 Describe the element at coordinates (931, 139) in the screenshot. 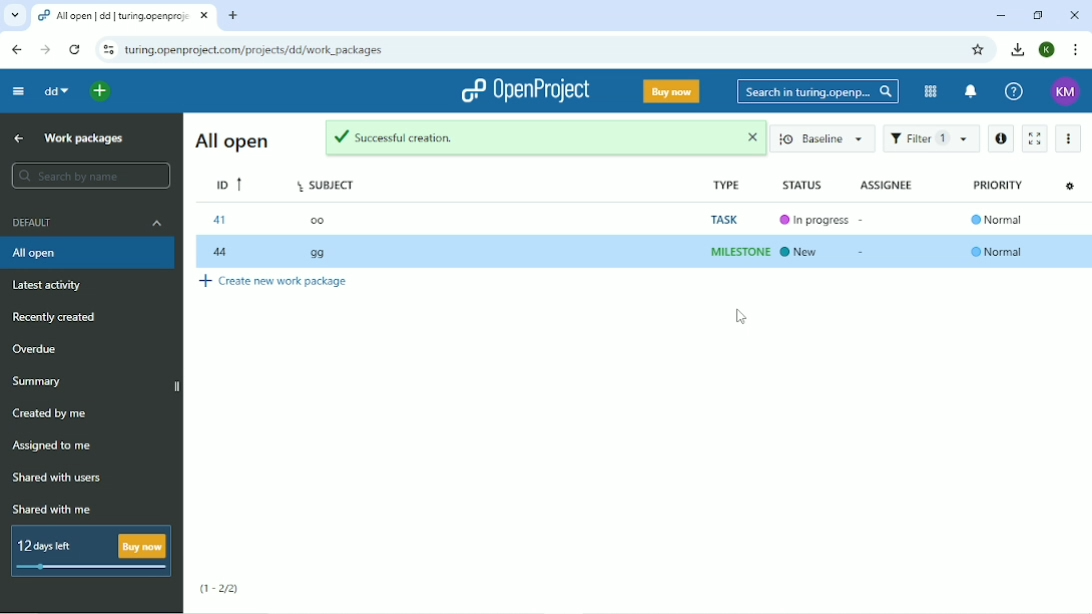

I see `Filter 1` at that location.